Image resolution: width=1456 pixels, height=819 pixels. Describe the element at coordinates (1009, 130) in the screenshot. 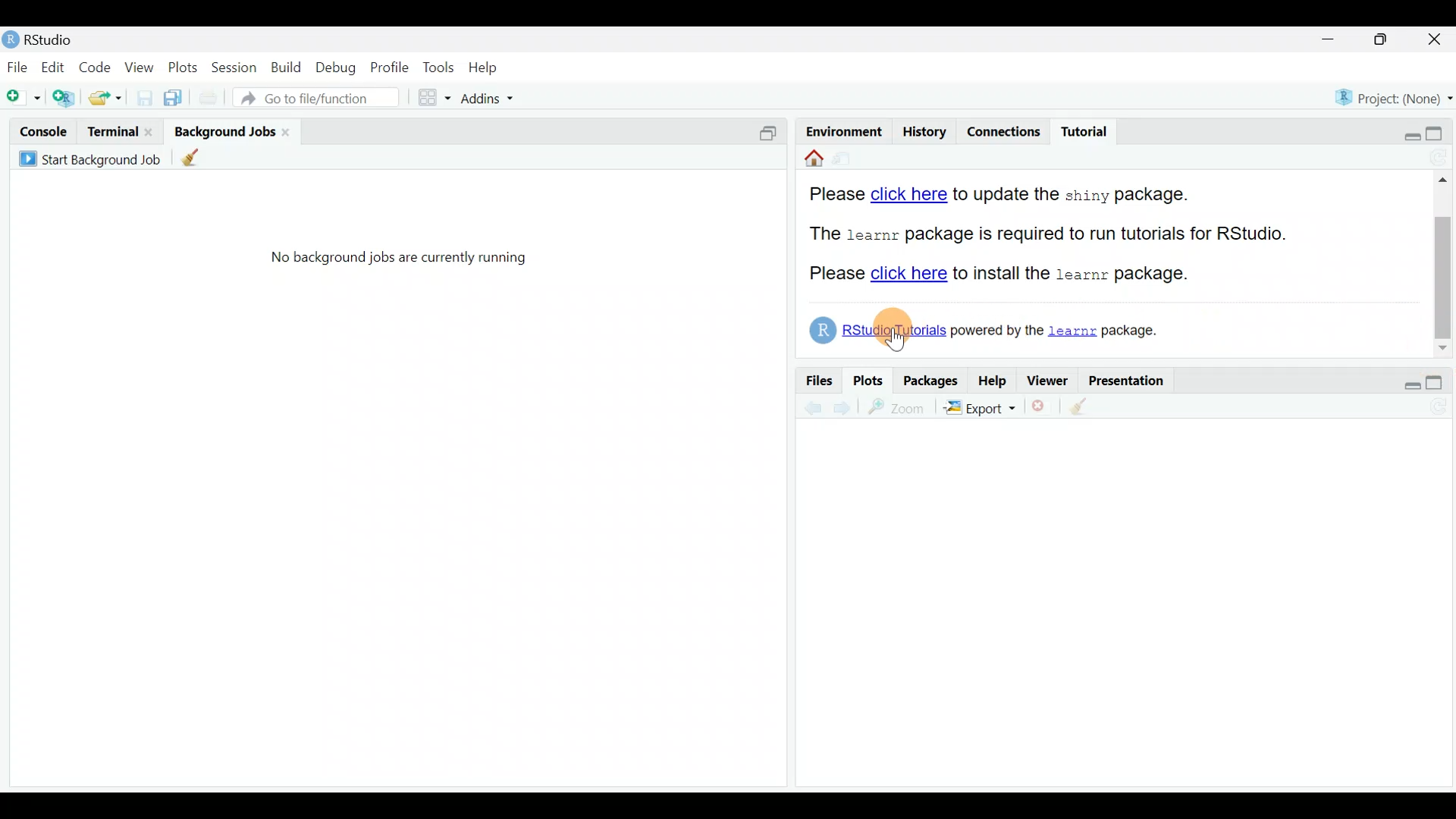

I see `Connections` at that location.